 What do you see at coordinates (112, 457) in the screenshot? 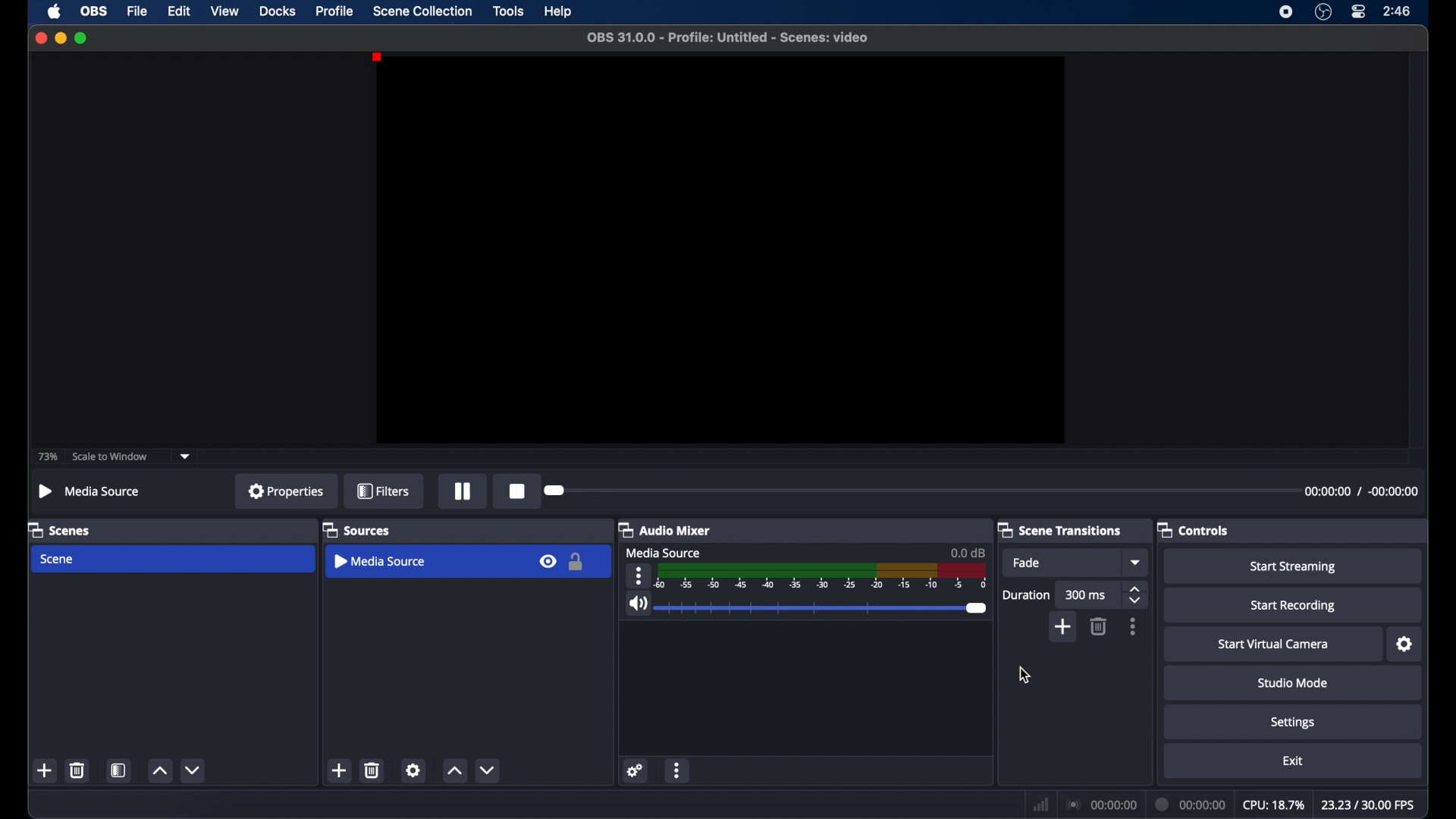
I see `scale to window` at bounding box center [112, 457].